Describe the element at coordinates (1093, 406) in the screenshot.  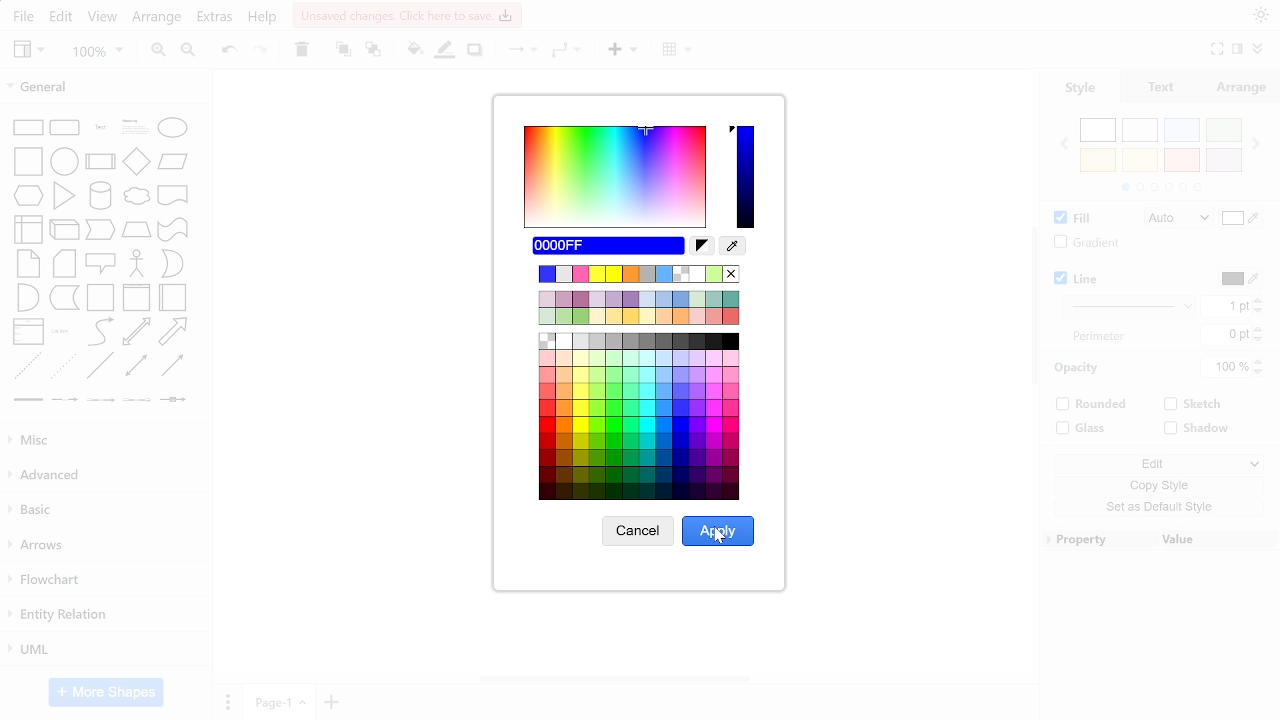
I see `rounded` at that location.